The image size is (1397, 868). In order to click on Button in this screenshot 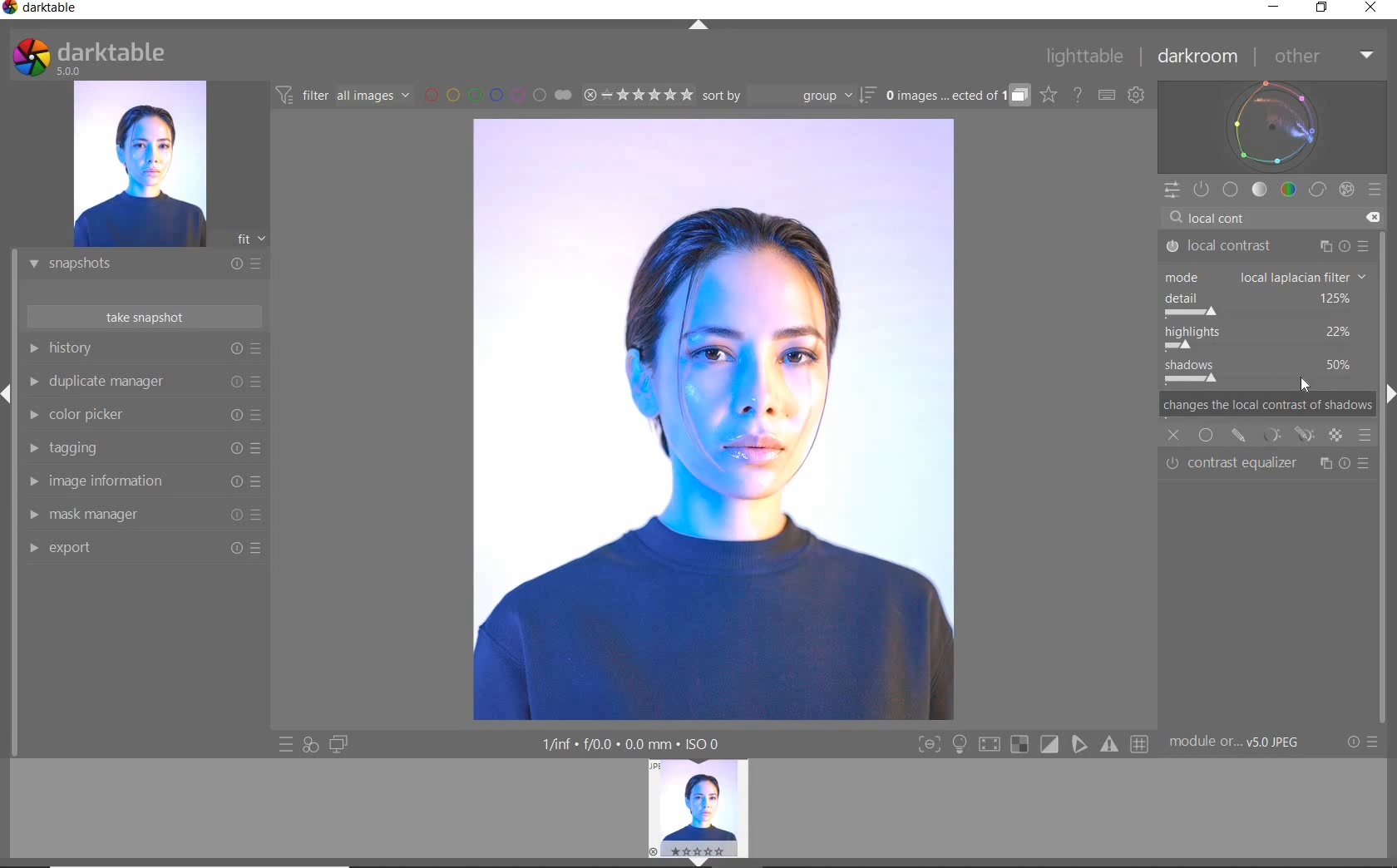, I will do `click(1019, 745)`.